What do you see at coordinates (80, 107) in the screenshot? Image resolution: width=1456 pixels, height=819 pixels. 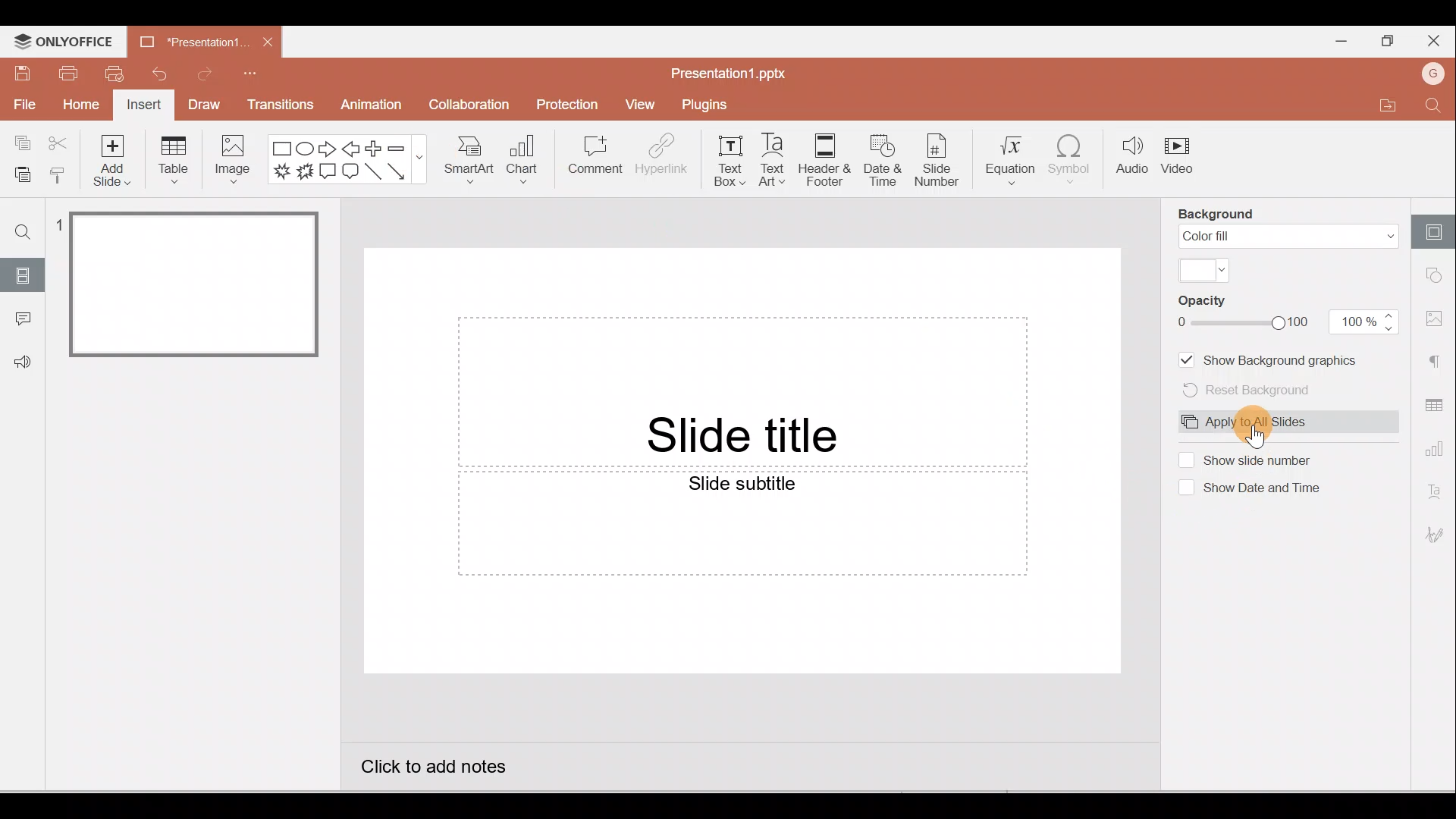 I see `Home` at bounding box center [80, 107].